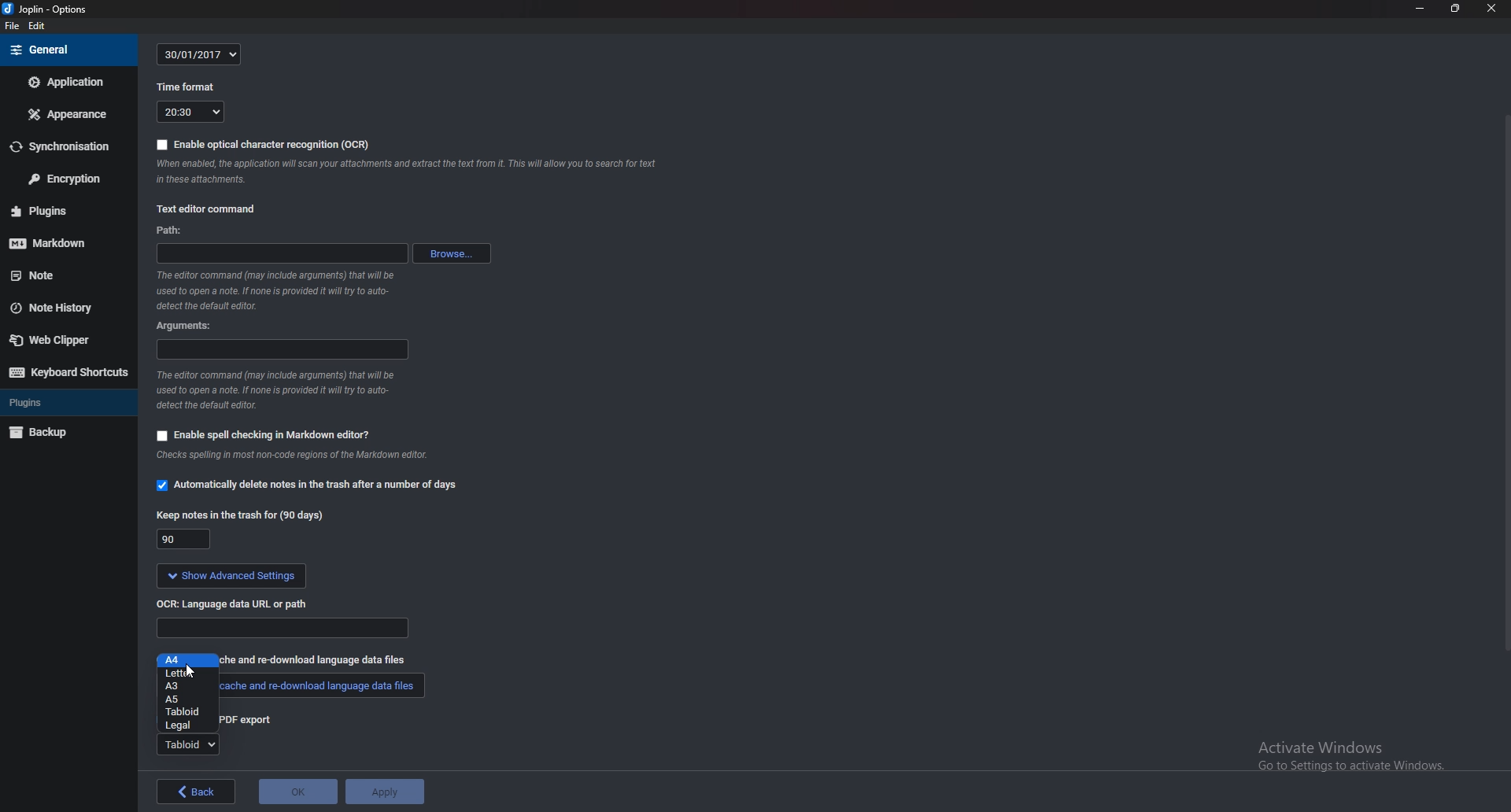 Image resolution: width=1511 pixels, height=812 pixels. What do you see at coordinates (189, 327) in the screenshot?
I see `argument` at bounding box center [189, 327].